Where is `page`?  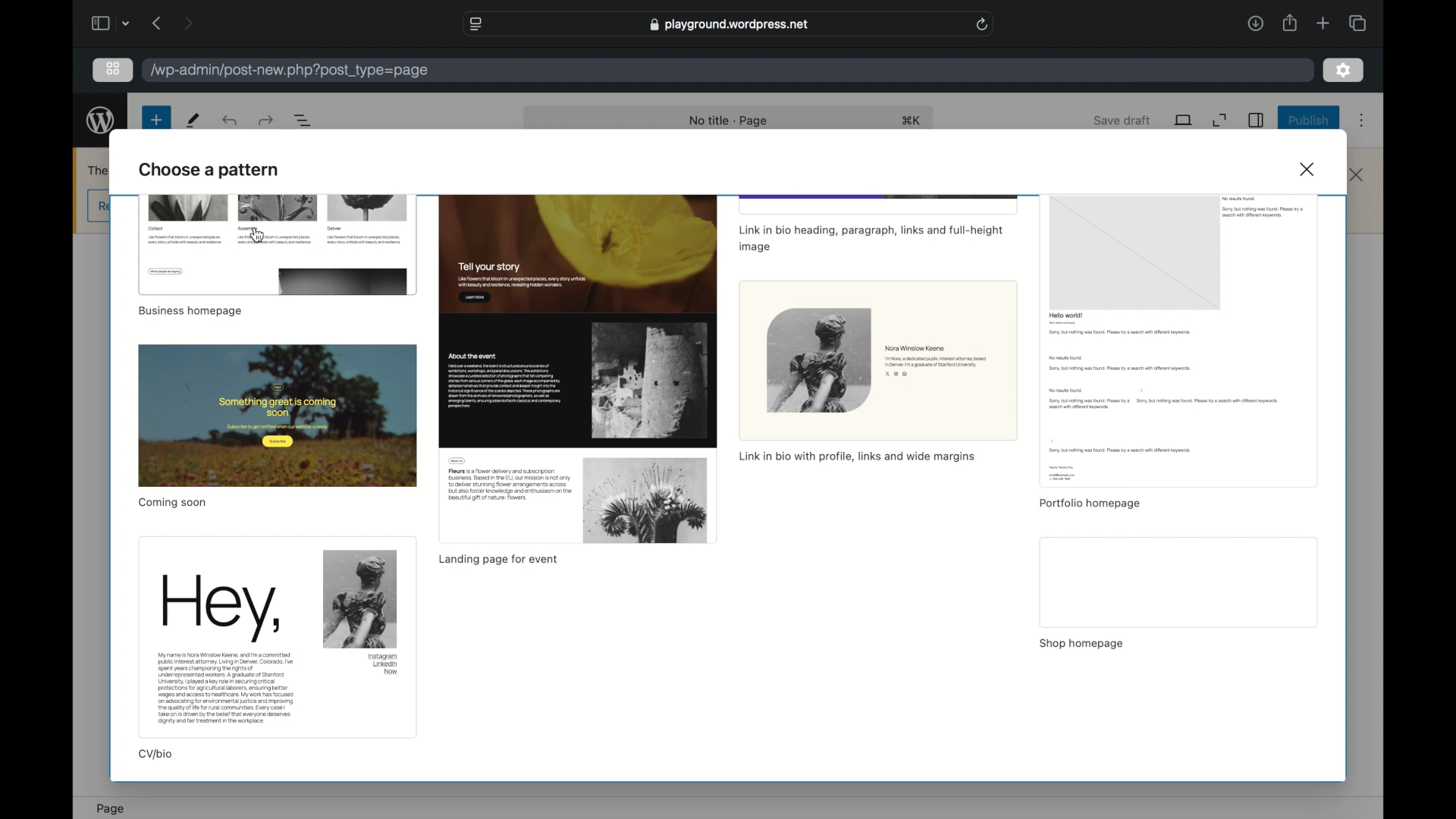 page is located at coordinates (110, 808).